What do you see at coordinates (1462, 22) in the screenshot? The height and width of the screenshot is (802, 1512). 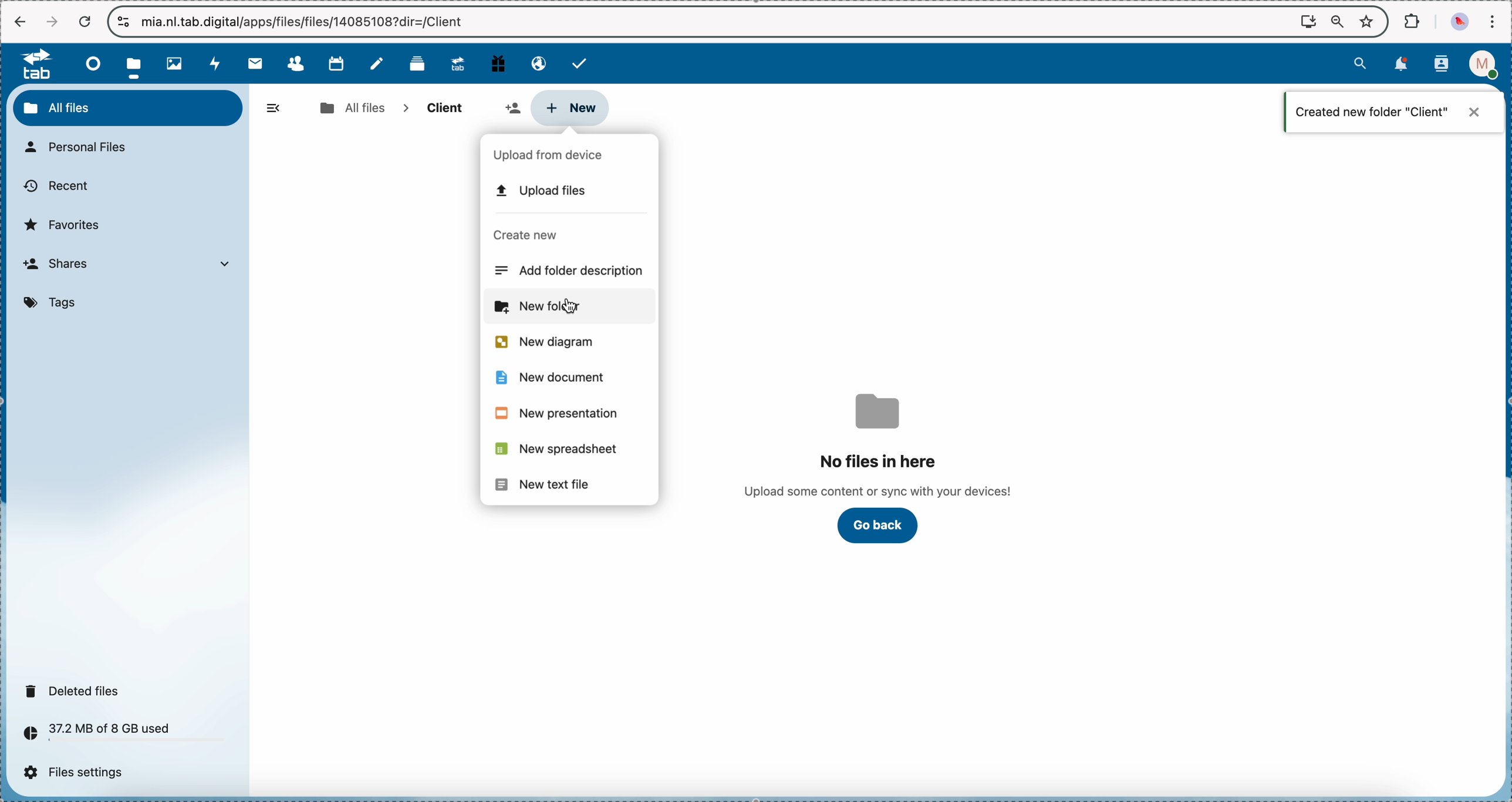 I see `profile picture` at bounding box center [1462, 22].